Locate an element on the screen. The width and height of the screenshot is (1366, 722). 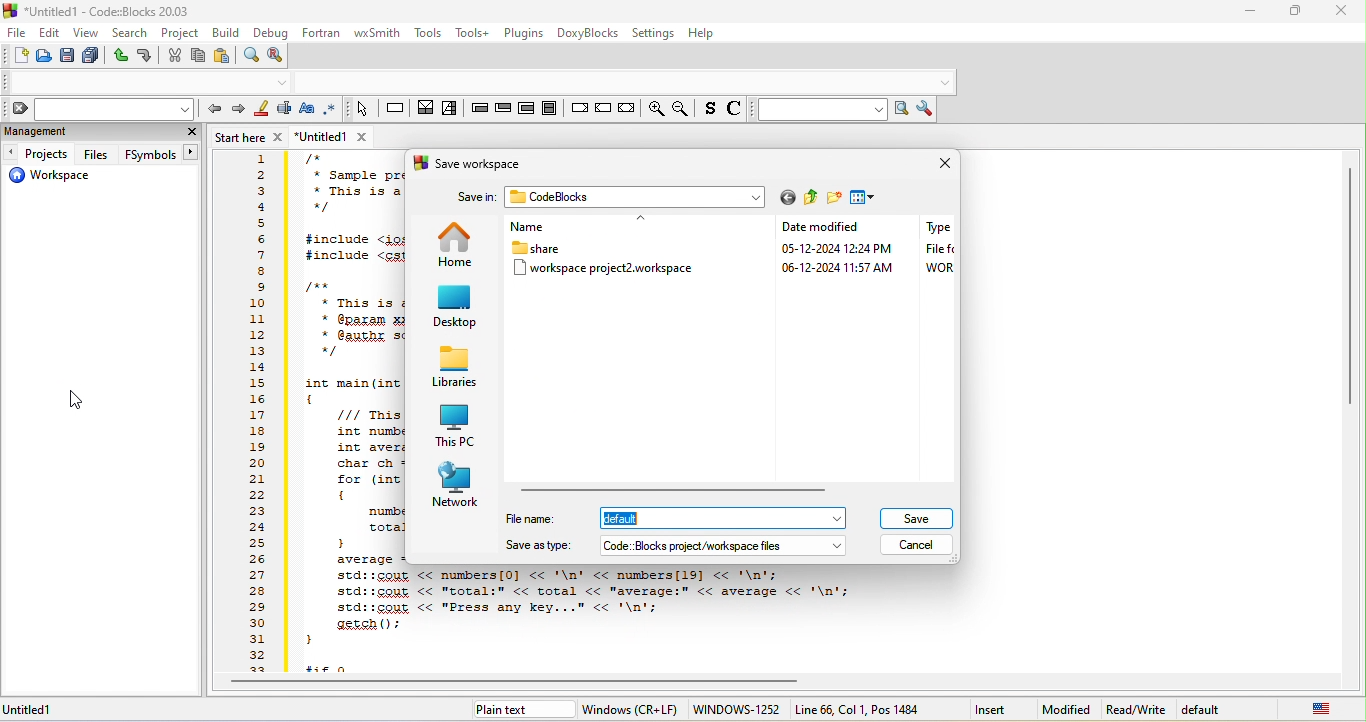
save as type is located at coordinates (660, 544).